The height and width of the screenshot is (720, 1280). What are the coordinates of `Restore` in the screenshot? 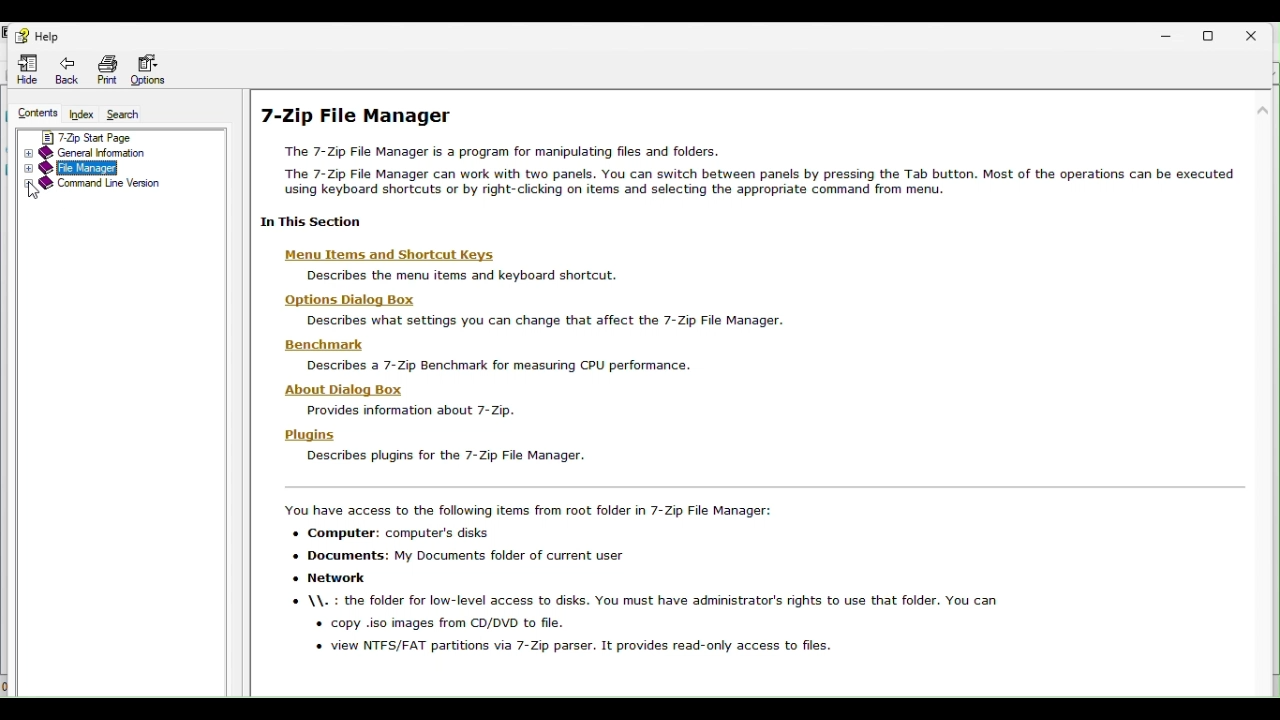 It's located at (1217, 32).